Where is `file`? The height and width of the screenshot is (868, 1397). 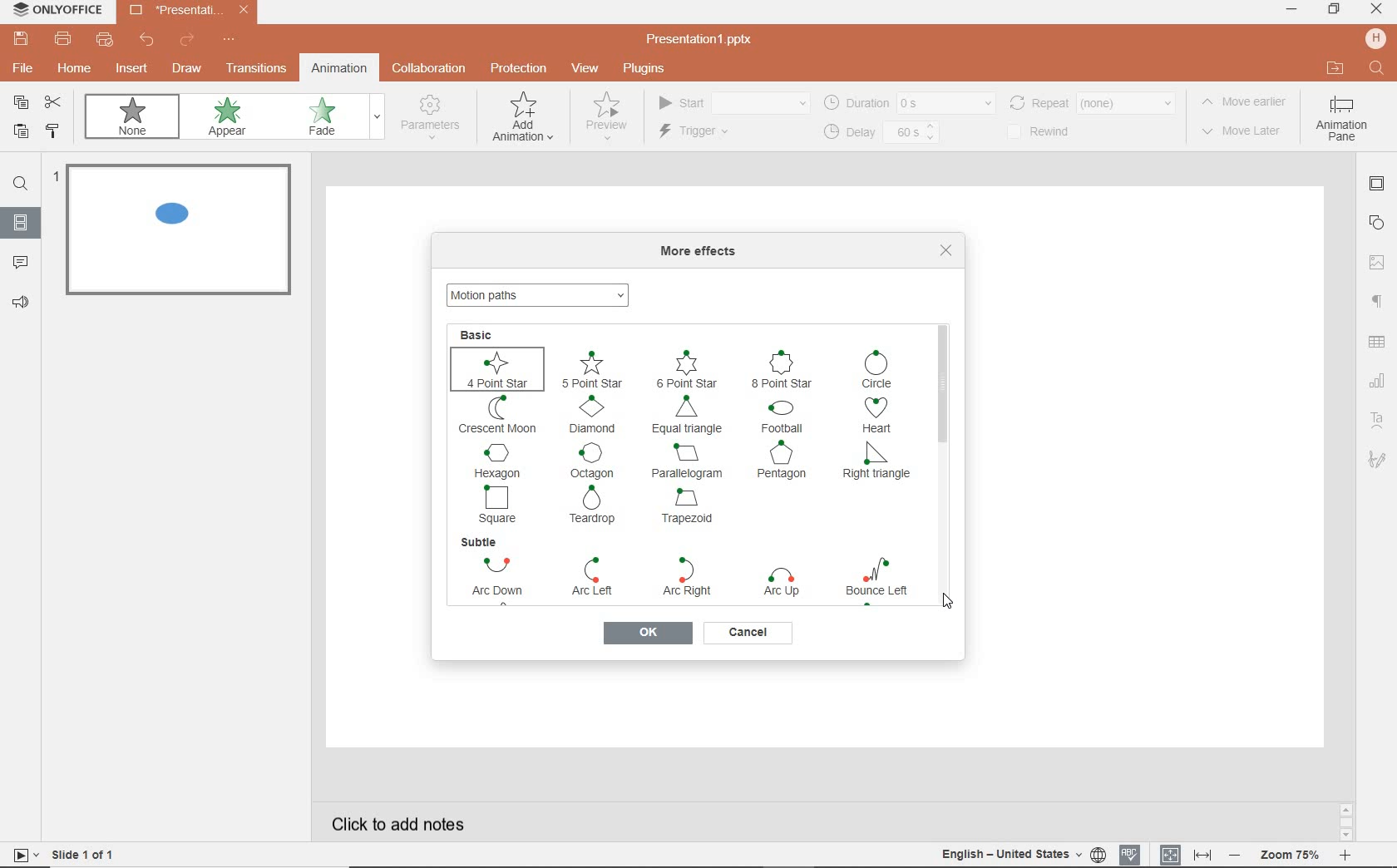
file is located at coordinates (21, 71).